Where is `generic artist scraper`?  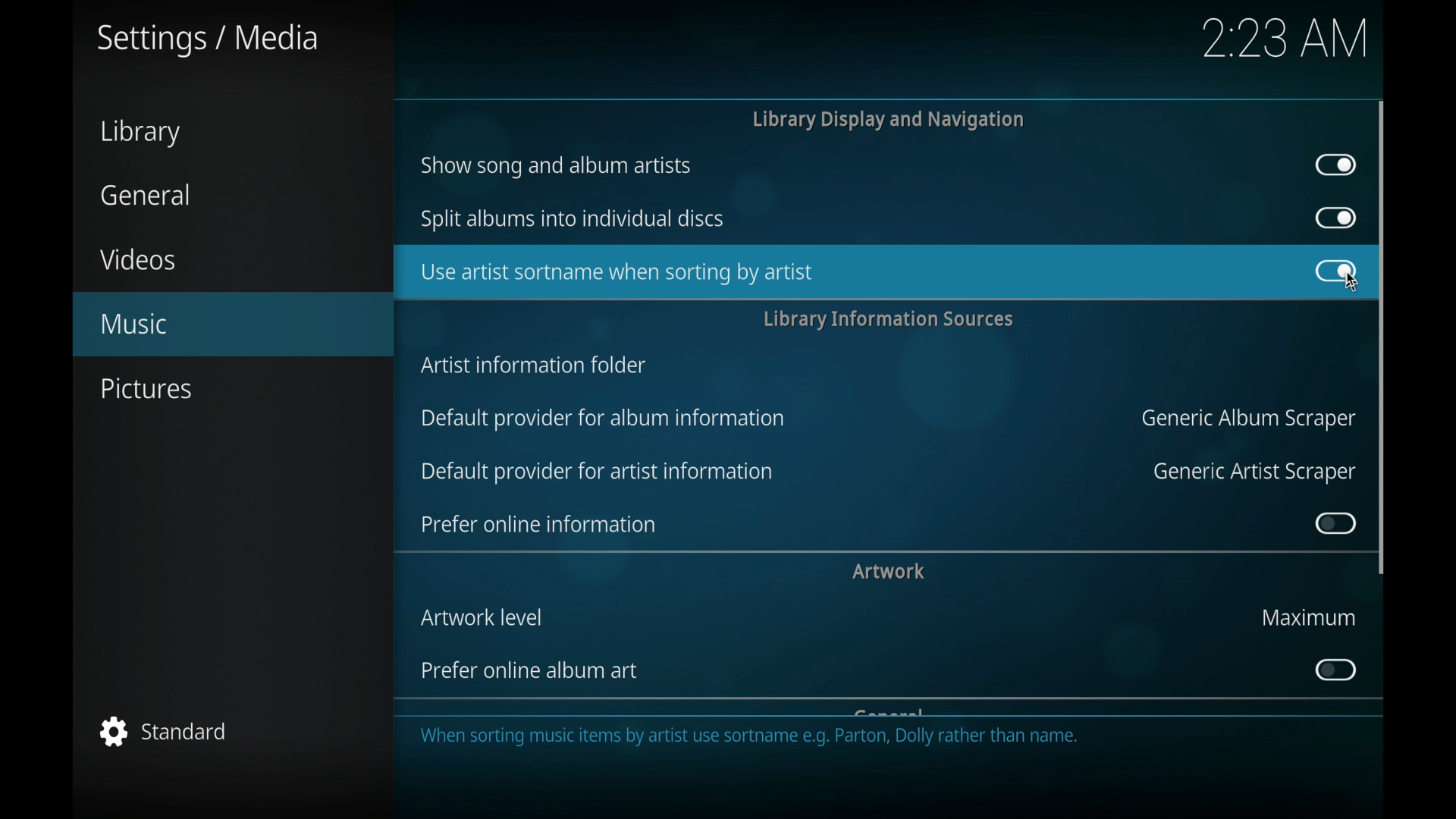 generic artist scraper is located at coordinates (1254, 472).